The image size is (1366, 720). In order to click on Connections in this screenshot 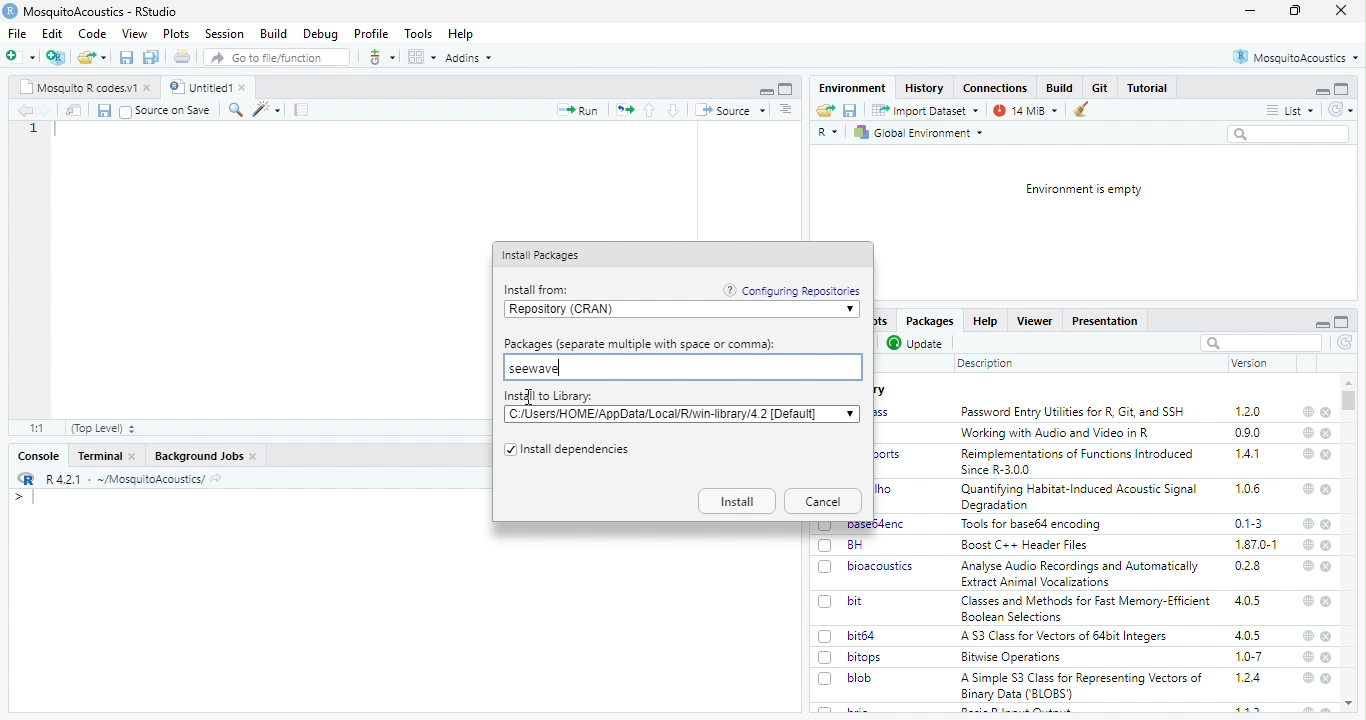, I will do `click(997, 88)`.